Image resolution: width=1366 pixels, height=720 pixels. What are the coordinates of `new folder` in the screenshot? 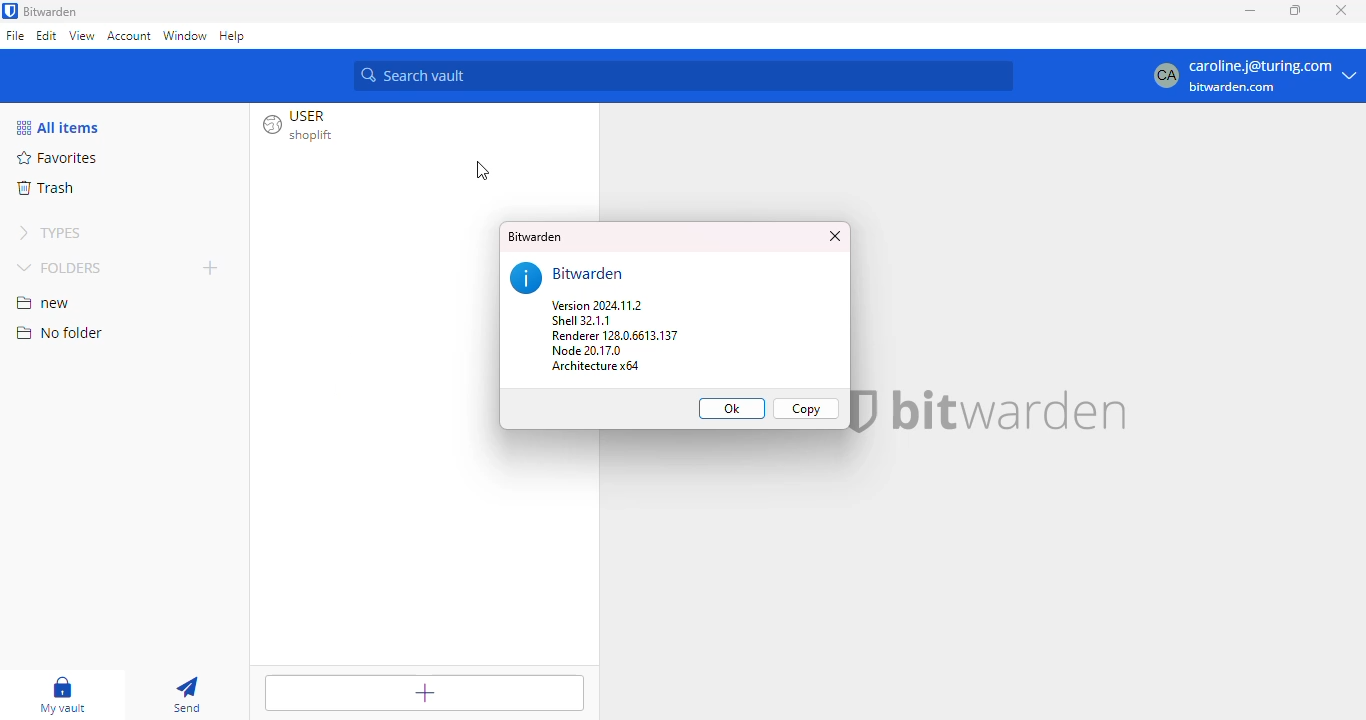 It's located at (210, 266).